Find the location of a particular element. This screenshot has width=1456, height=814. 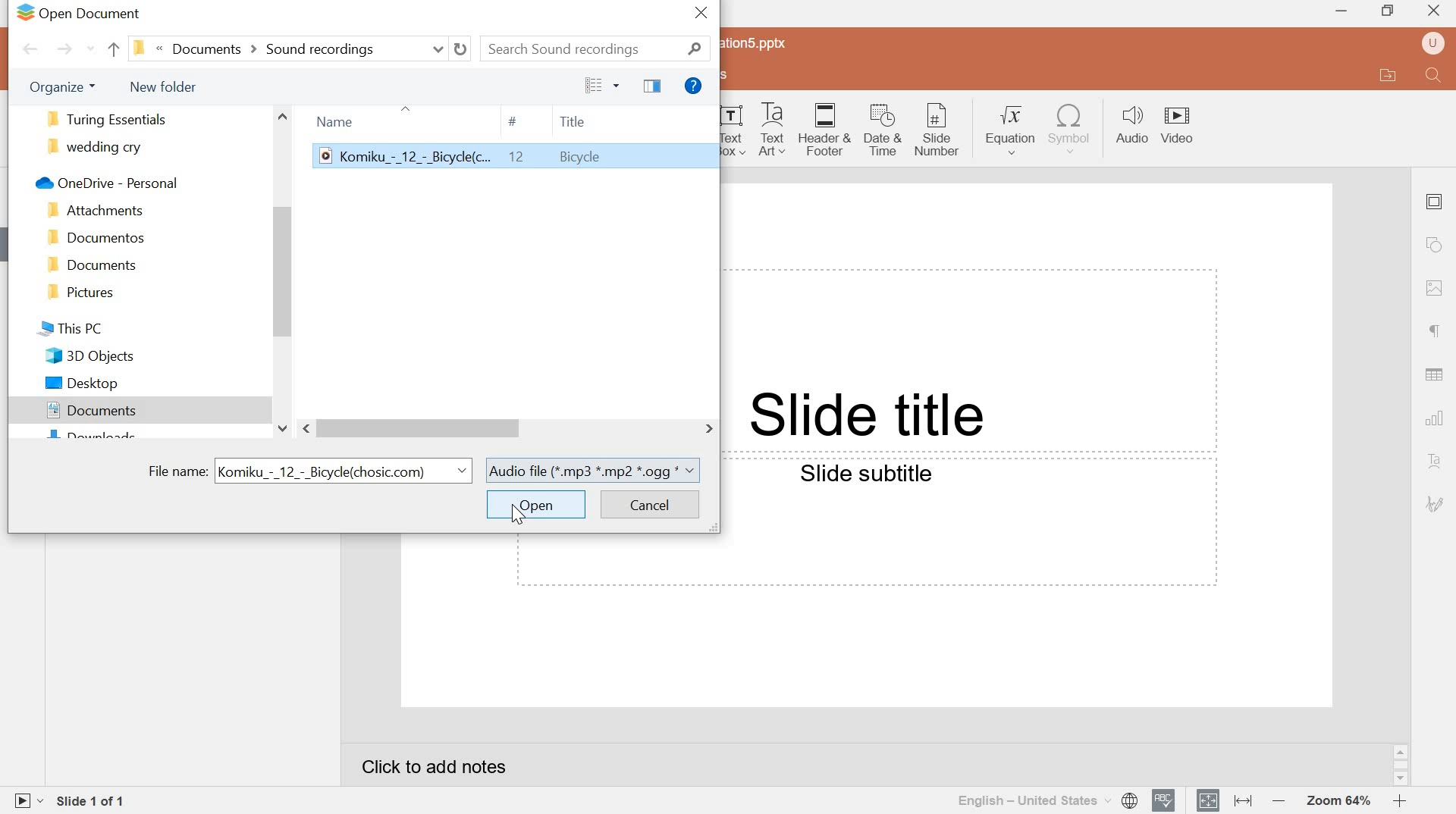

cursor is located at coordinates (515, 513).